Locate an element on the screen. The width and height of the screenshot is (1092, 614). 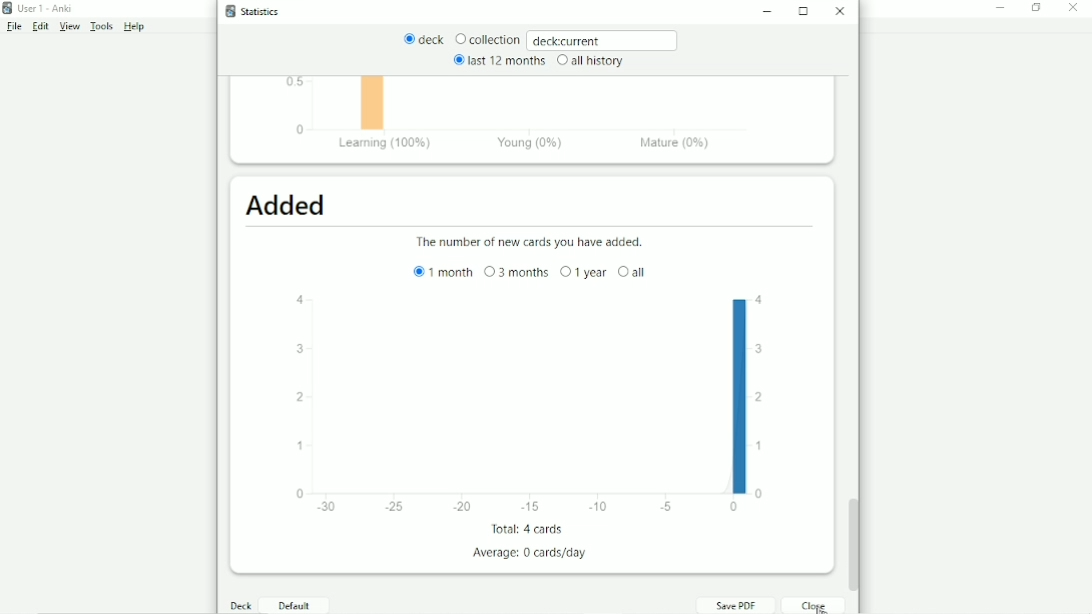
Total: 4 cards is located at coordinates (531, 529).